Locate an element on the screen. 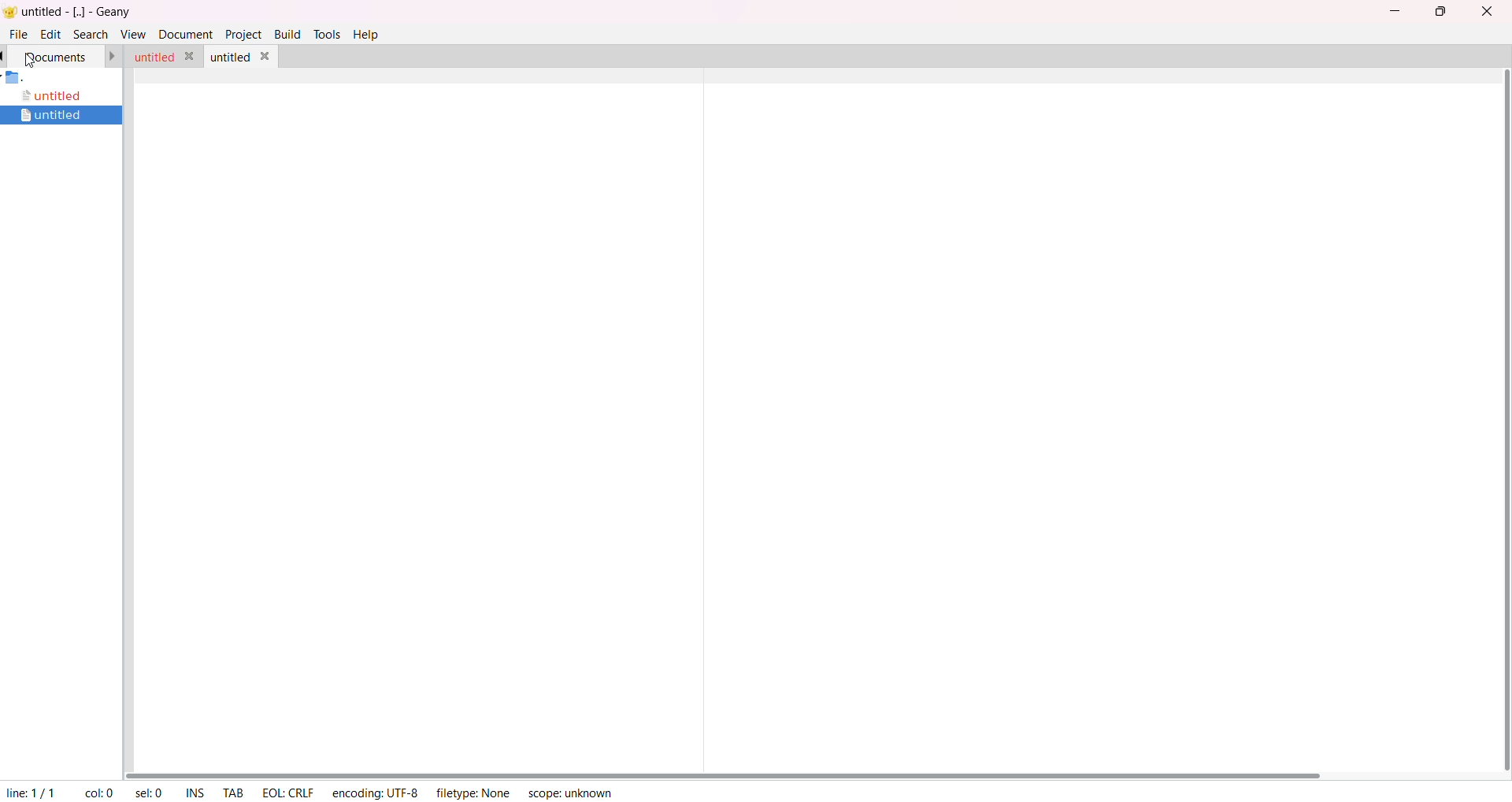 This screenshot has width=1512, height=802. filetype: None is located at coordinates (470, 793).